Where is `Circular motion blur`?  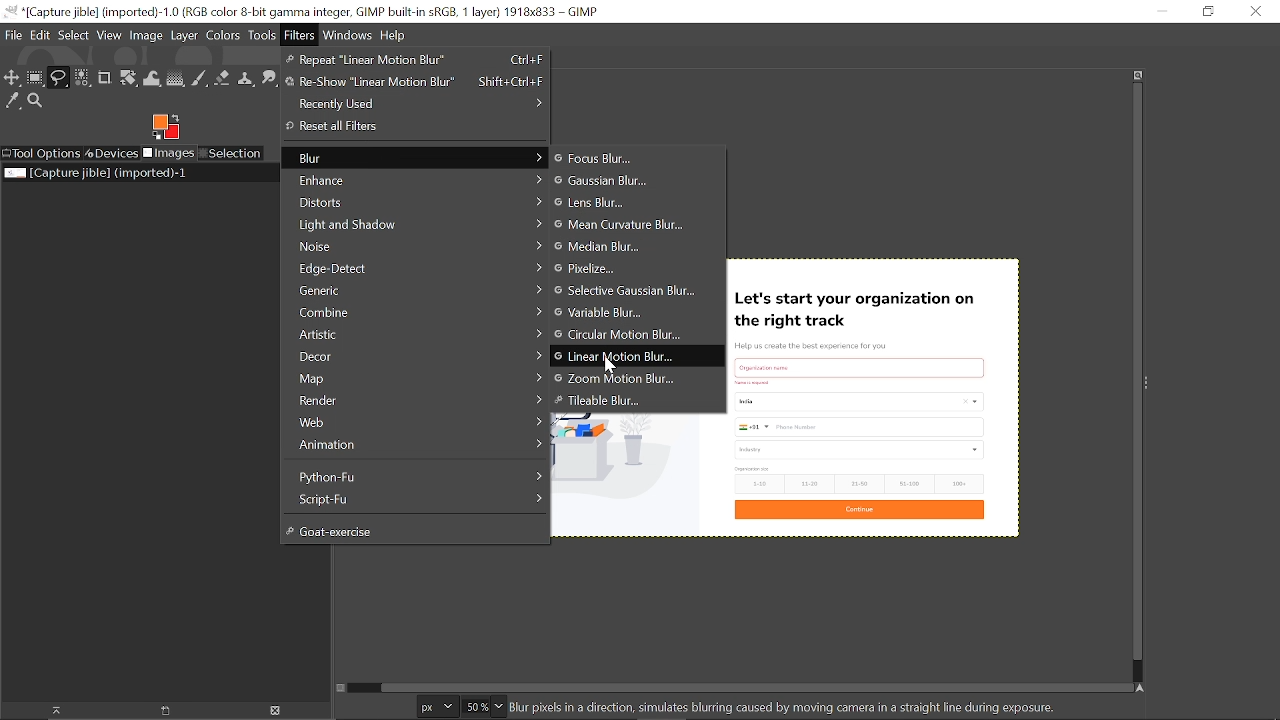 Circular motion blur is located at coordinates (623, 335).